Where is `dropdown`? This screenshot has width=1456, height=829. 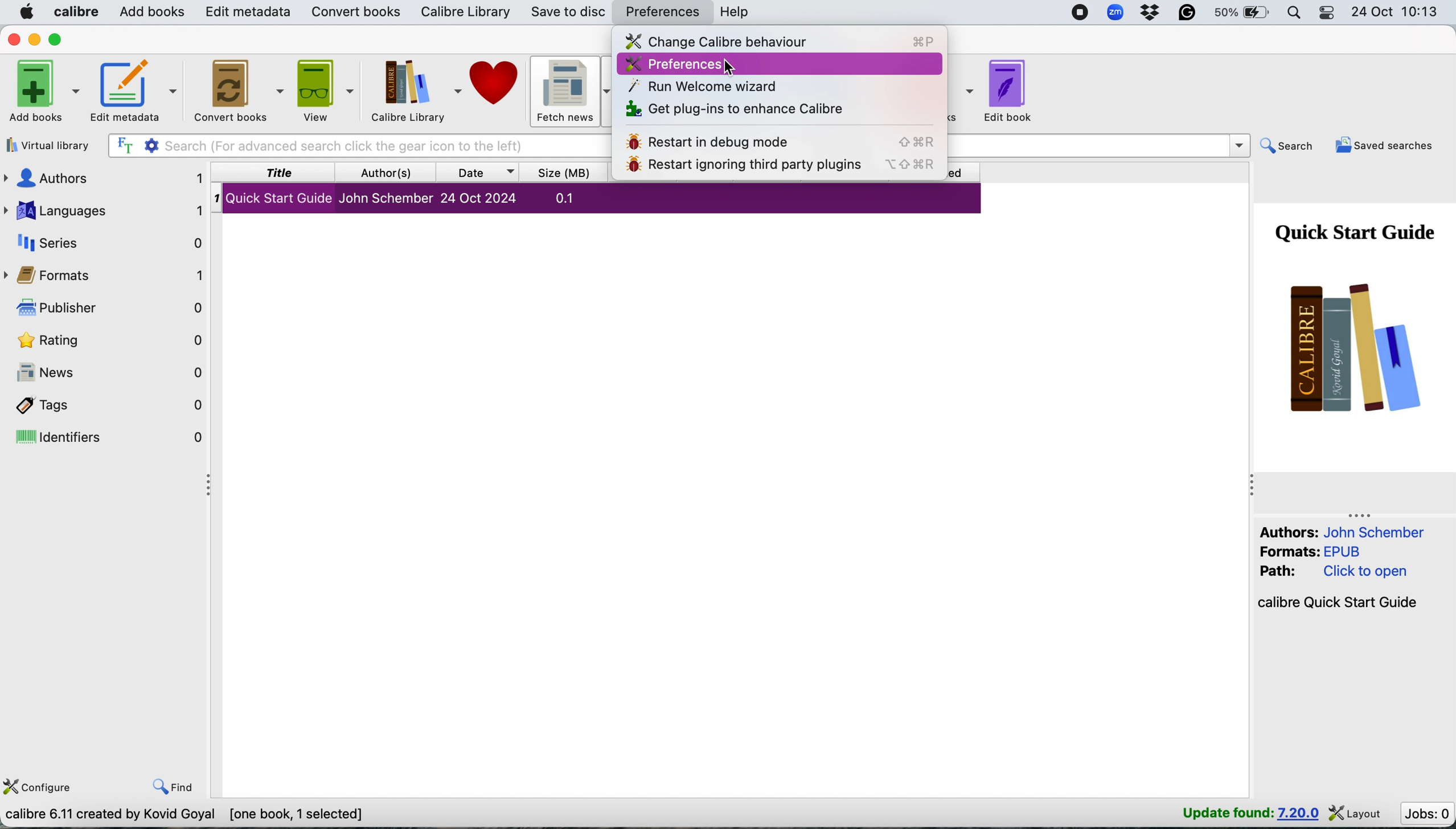 dropdown is located at coordinates (1238, 143).